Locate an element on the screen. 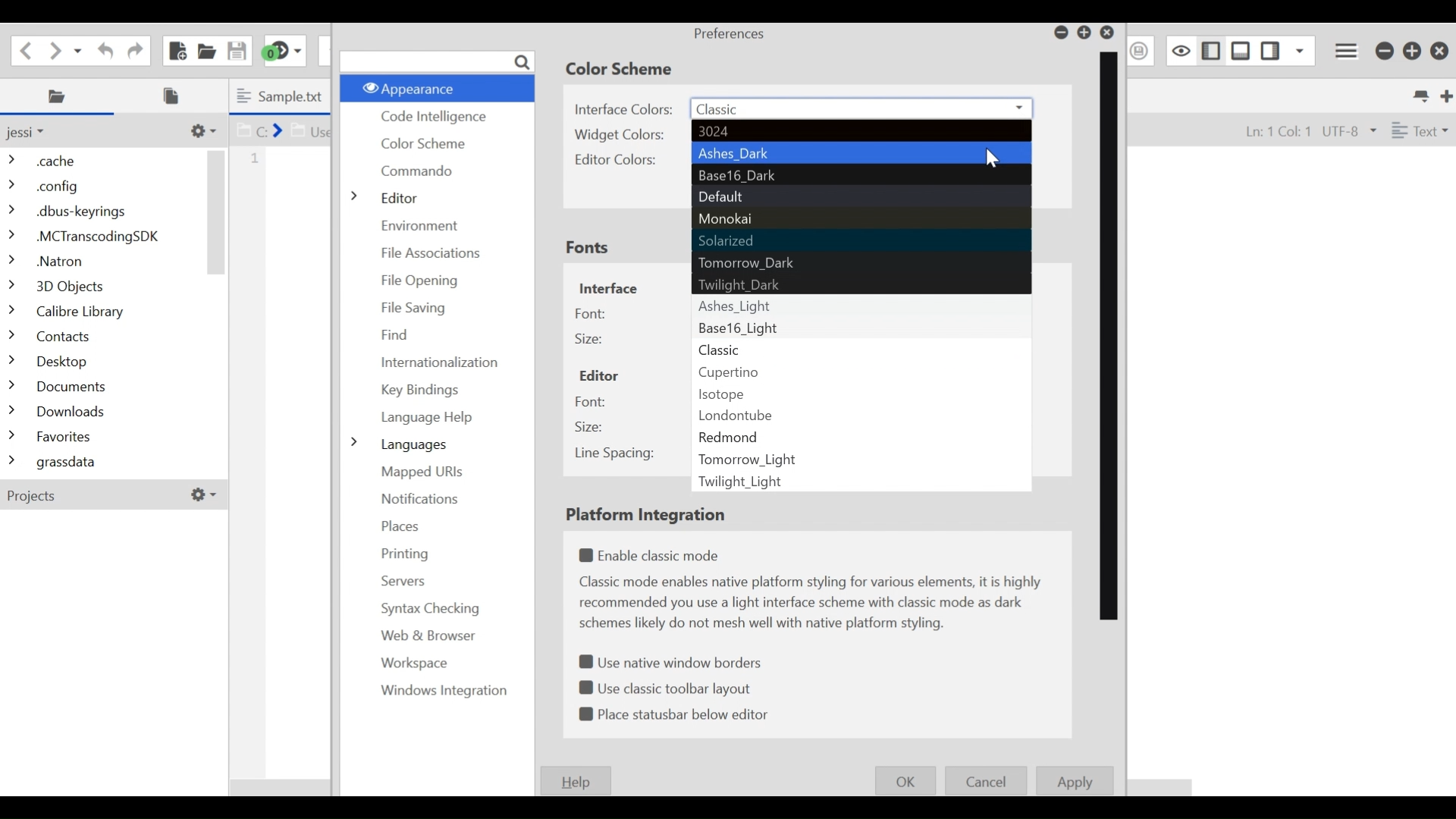 The width and height of the screenshot is (1456, 819). Restore is located at coordinates (1413, 51).